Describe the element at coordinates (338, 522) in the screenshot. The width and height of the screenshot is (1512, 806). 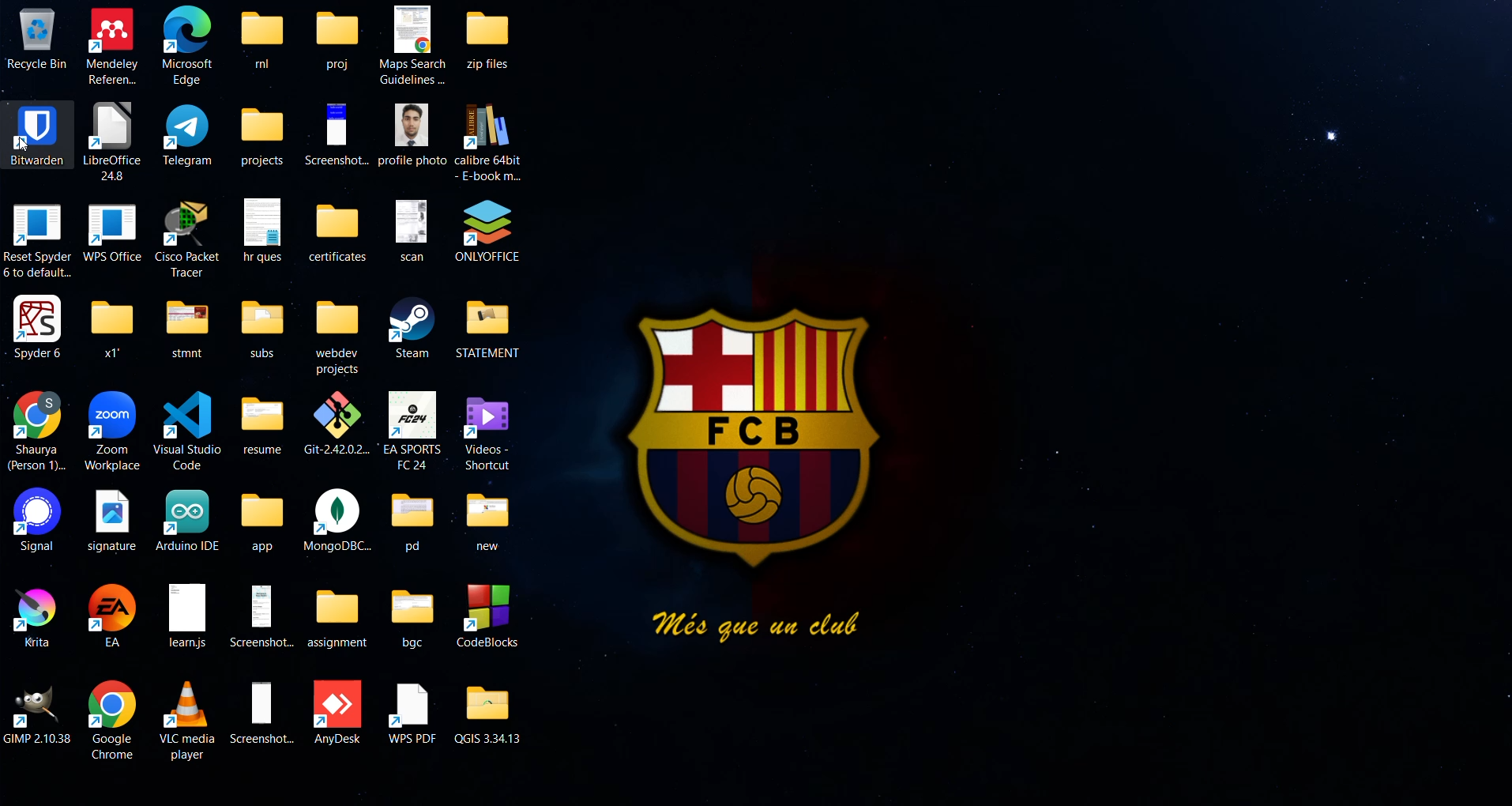
I see `MongoDBC...` at that location.